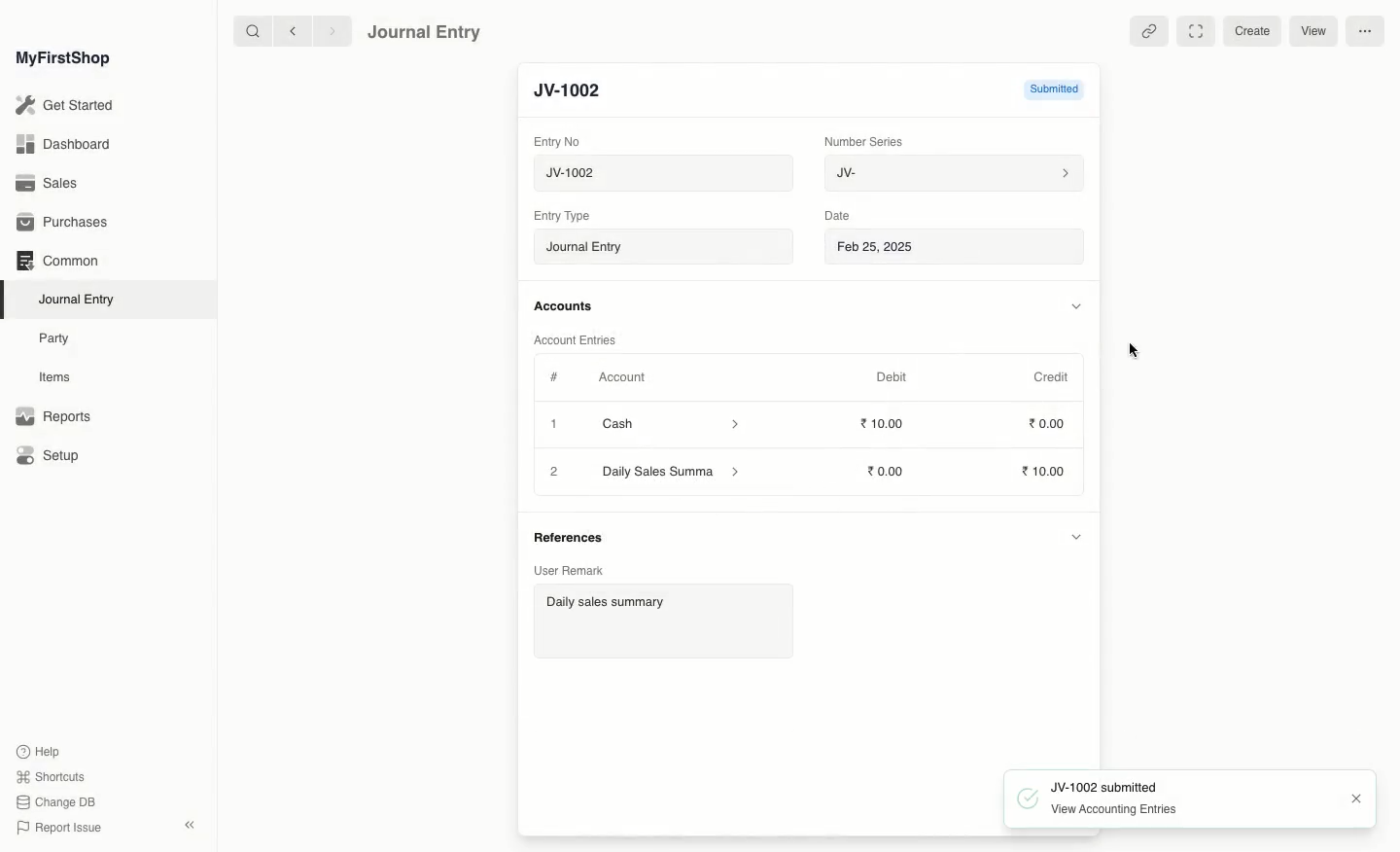 This screenshot has height=852, width=1400. I want to click on Entry Type, so click(568, 216).